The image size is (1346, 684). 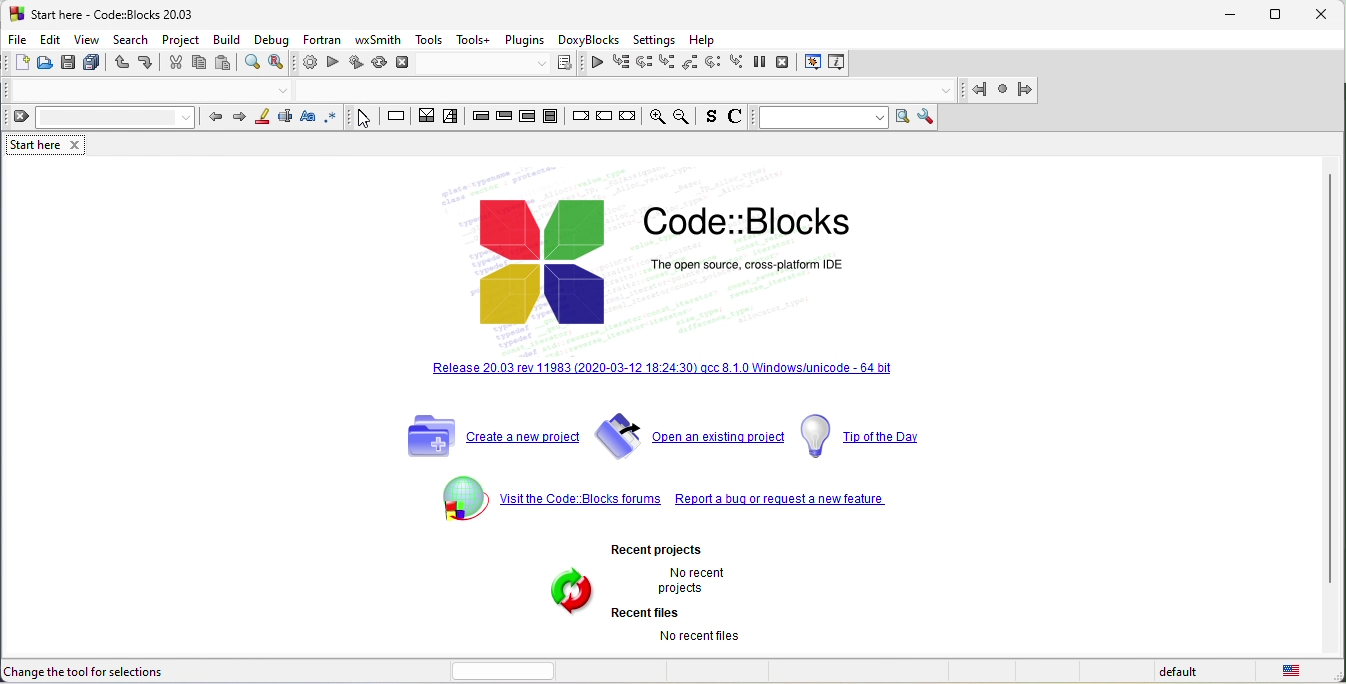 I want to click on step into instruction, so click(x=741, y=65).